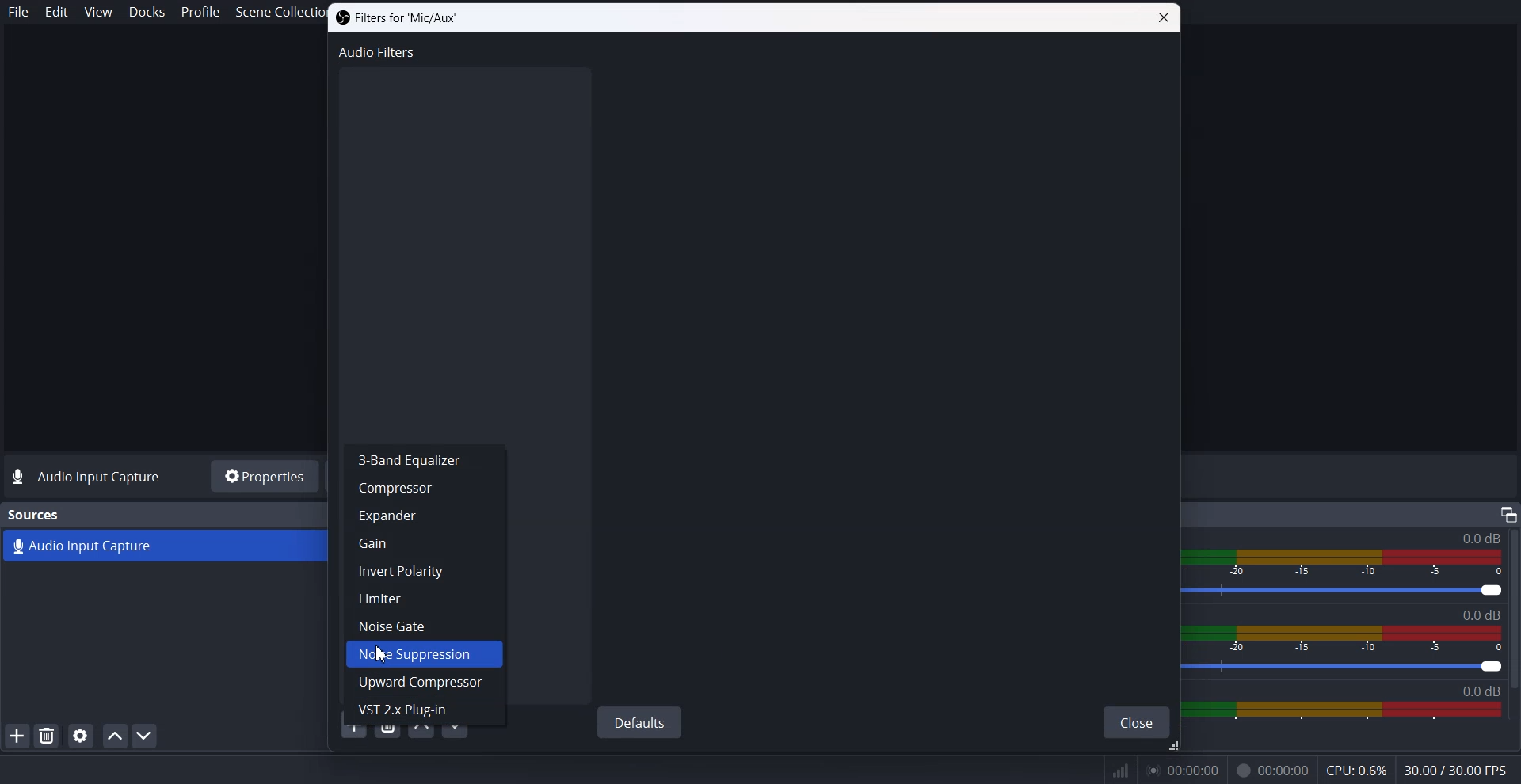  Describe the element at coordinates (1492, 691) in the screenshot. I see `0.00db` at that location.